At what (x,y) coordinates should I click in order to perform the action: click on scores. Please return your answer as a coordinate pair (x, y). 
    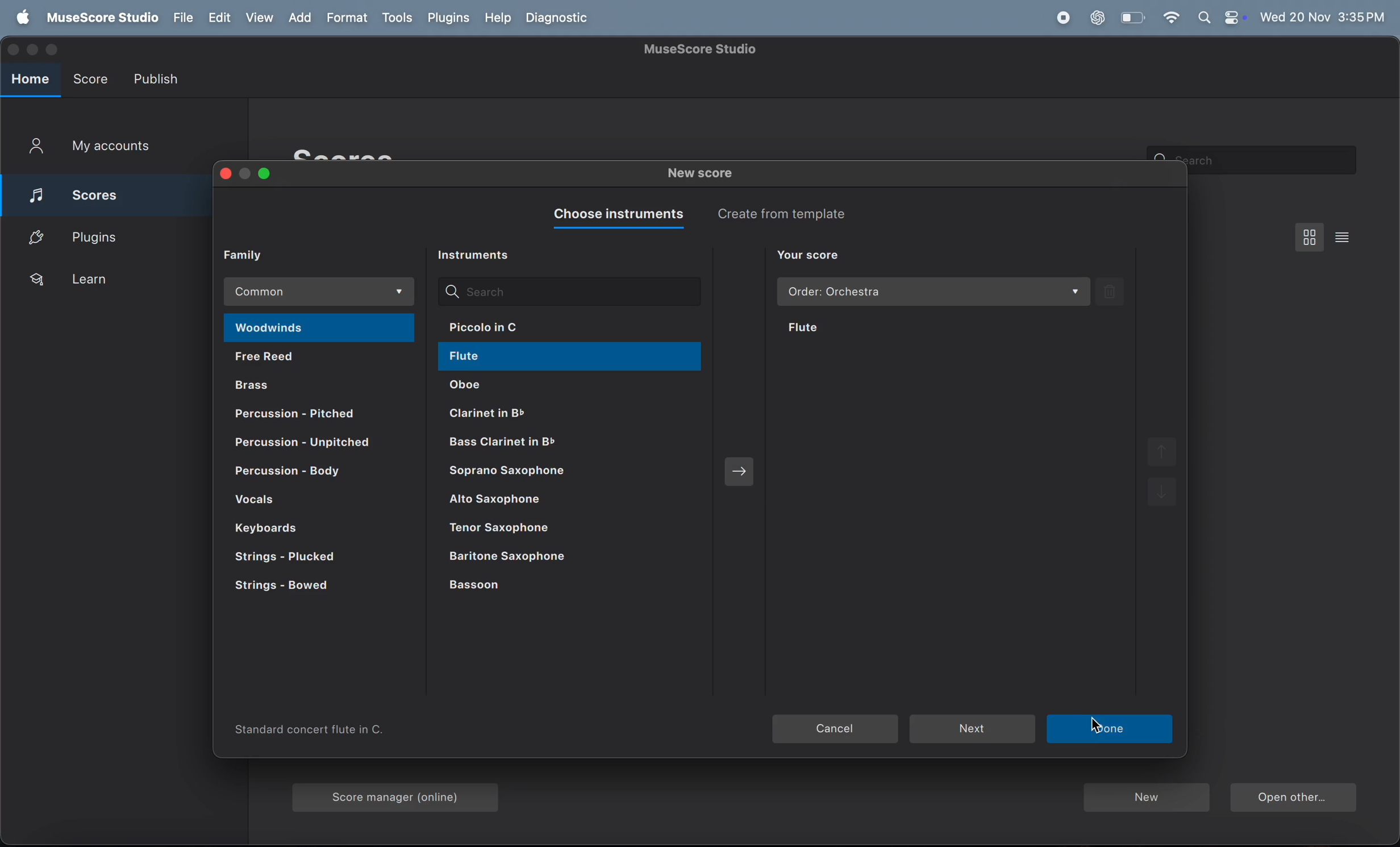
    Looking at the image, I should click on (365, 152).